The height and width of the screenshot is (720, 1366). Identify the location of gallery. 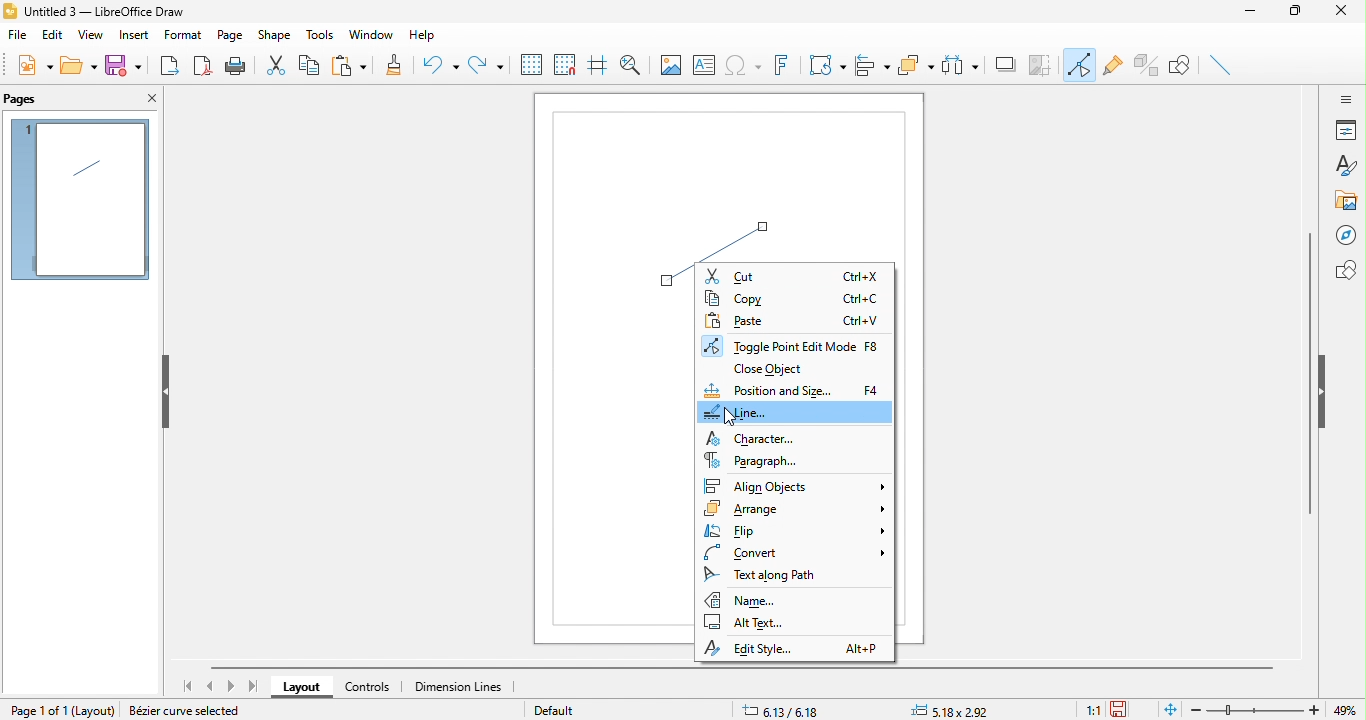
(1347, 201).